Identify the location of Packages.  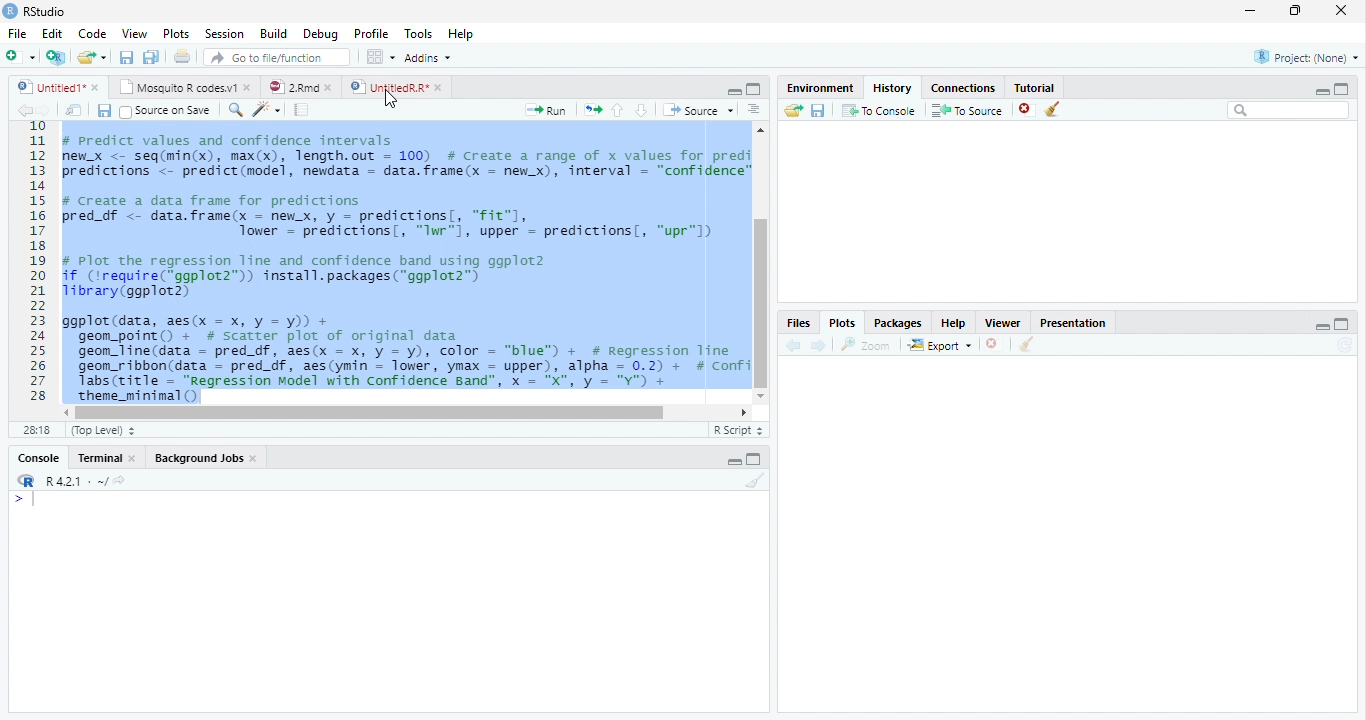
(896, 320).